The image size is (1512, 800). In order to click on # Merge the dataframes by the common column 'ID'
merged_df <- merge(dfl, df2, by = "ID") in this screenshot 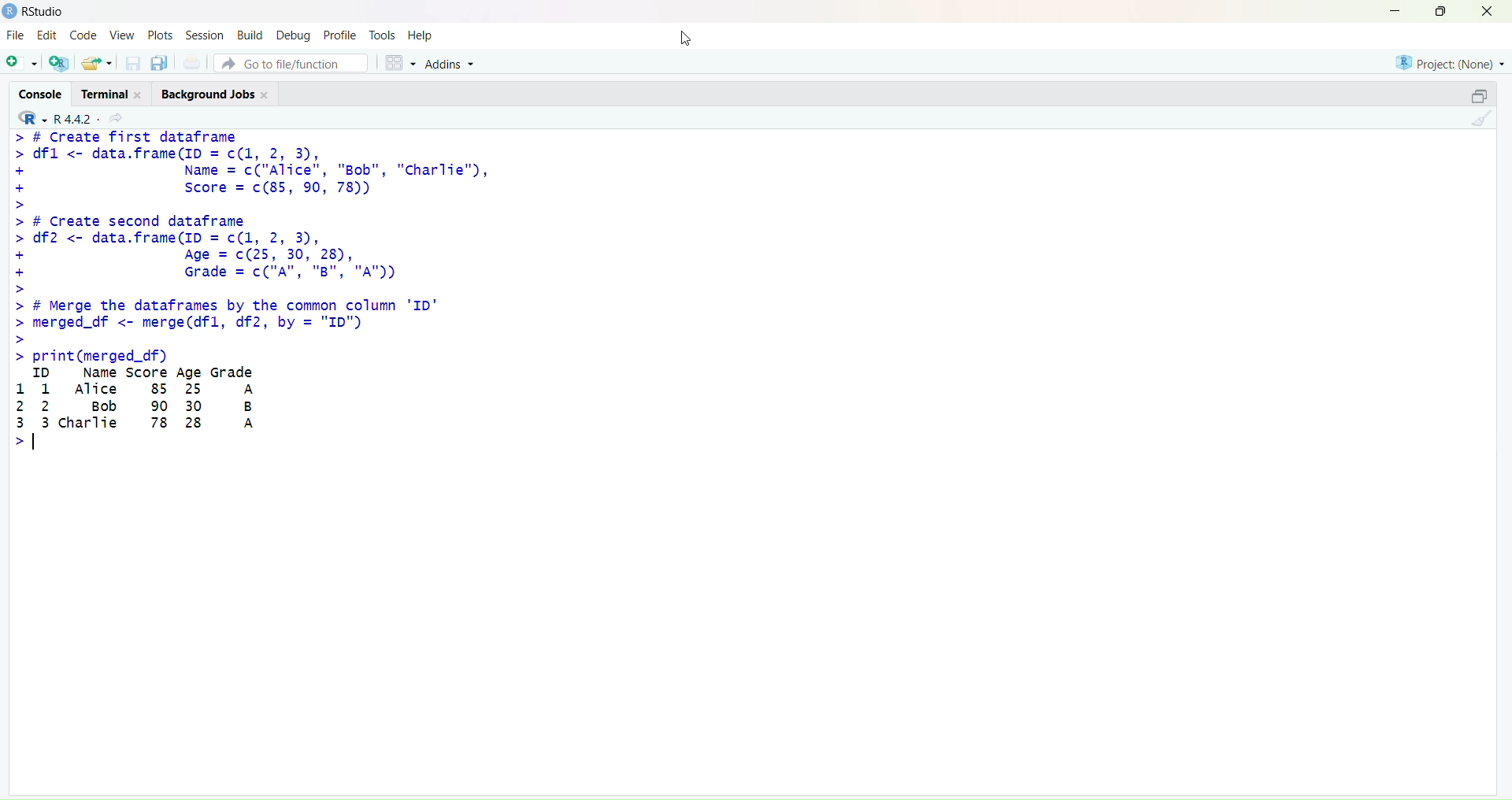, I will do `click(224, 320)`.